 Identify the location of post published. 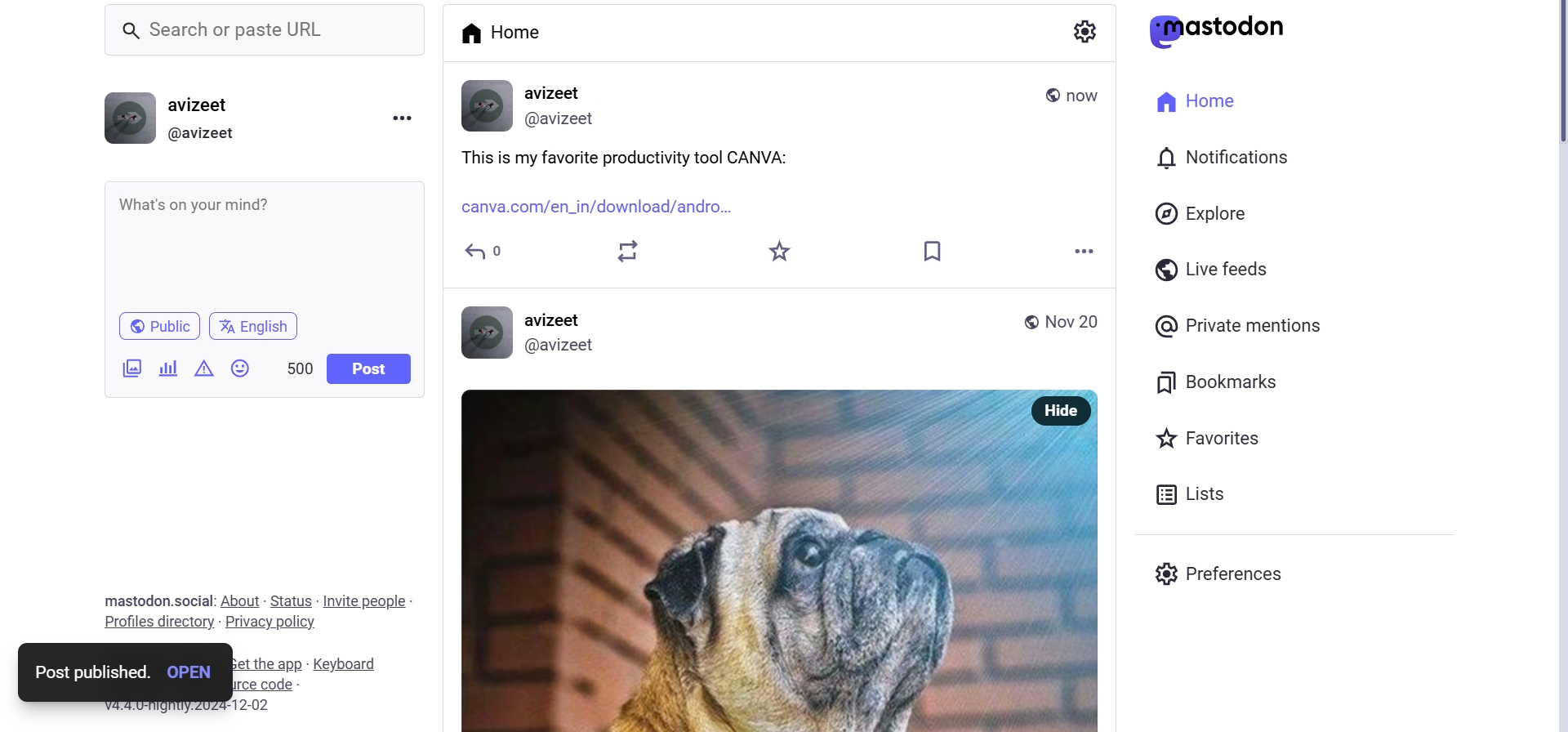
(87, 673).